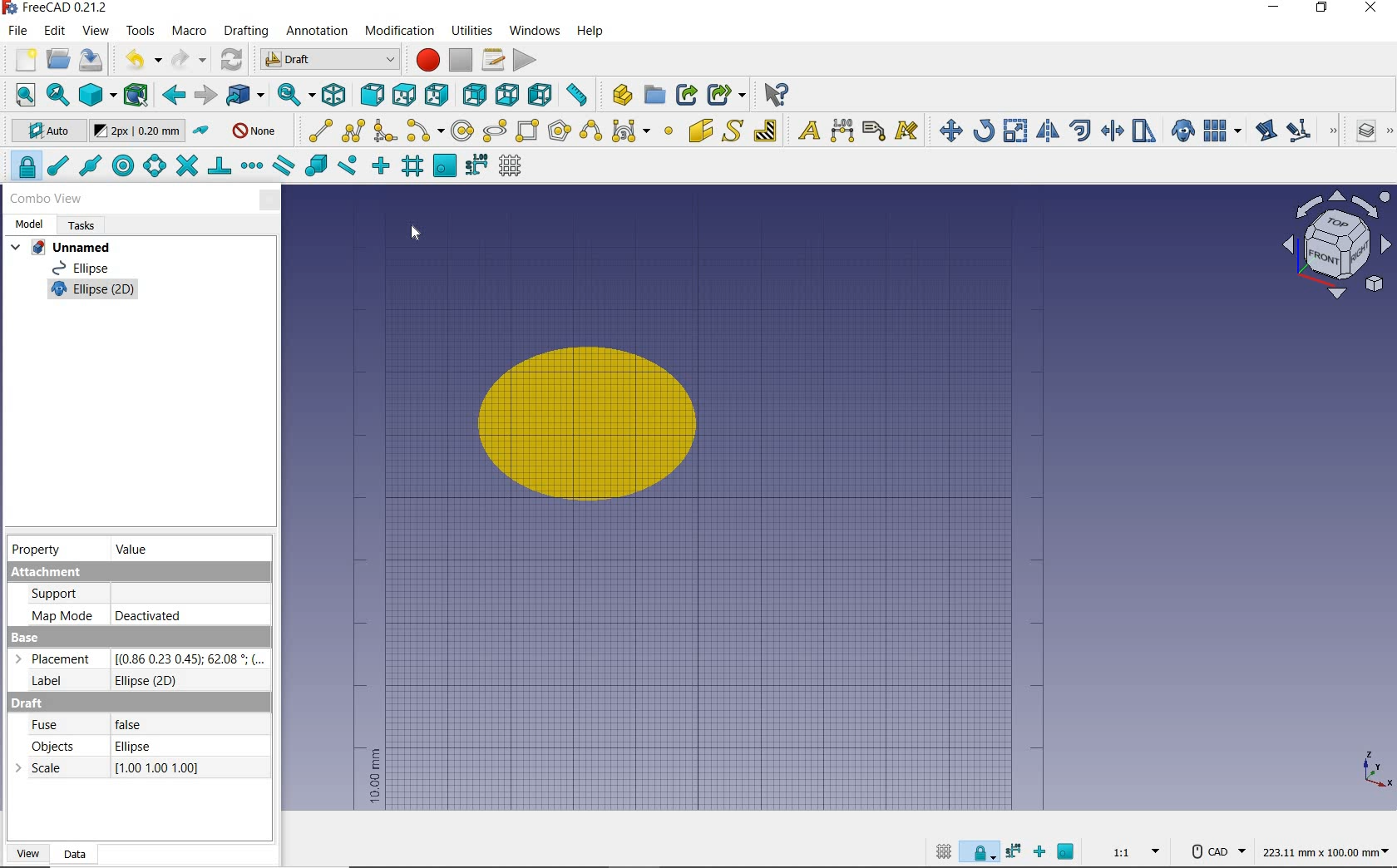  Describe the element at coordinates (461, 60) in the screenshot. I see `stop macro recording` at that location.